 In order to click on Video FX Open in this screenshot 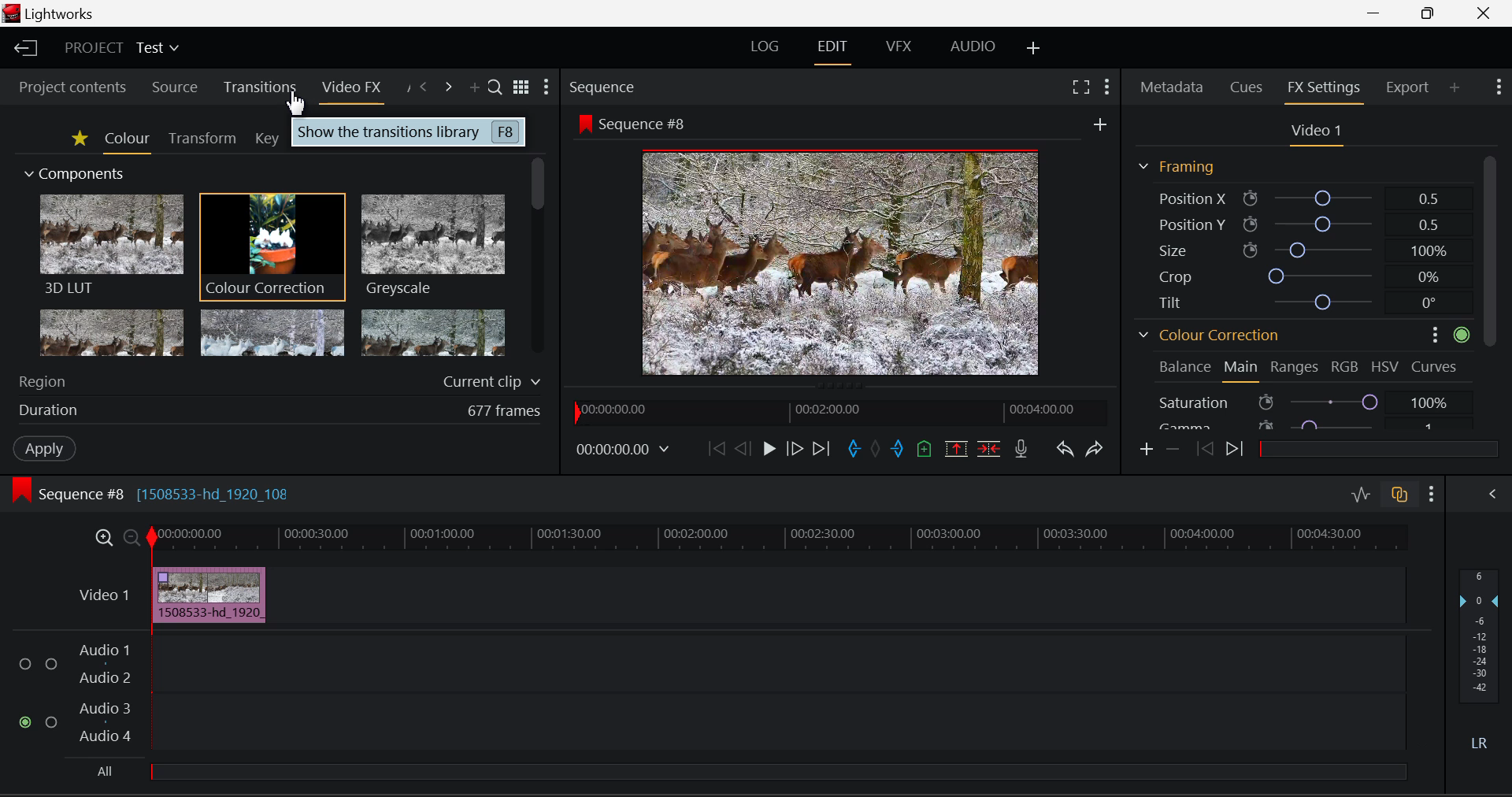, I will do `click(353, 91)`.